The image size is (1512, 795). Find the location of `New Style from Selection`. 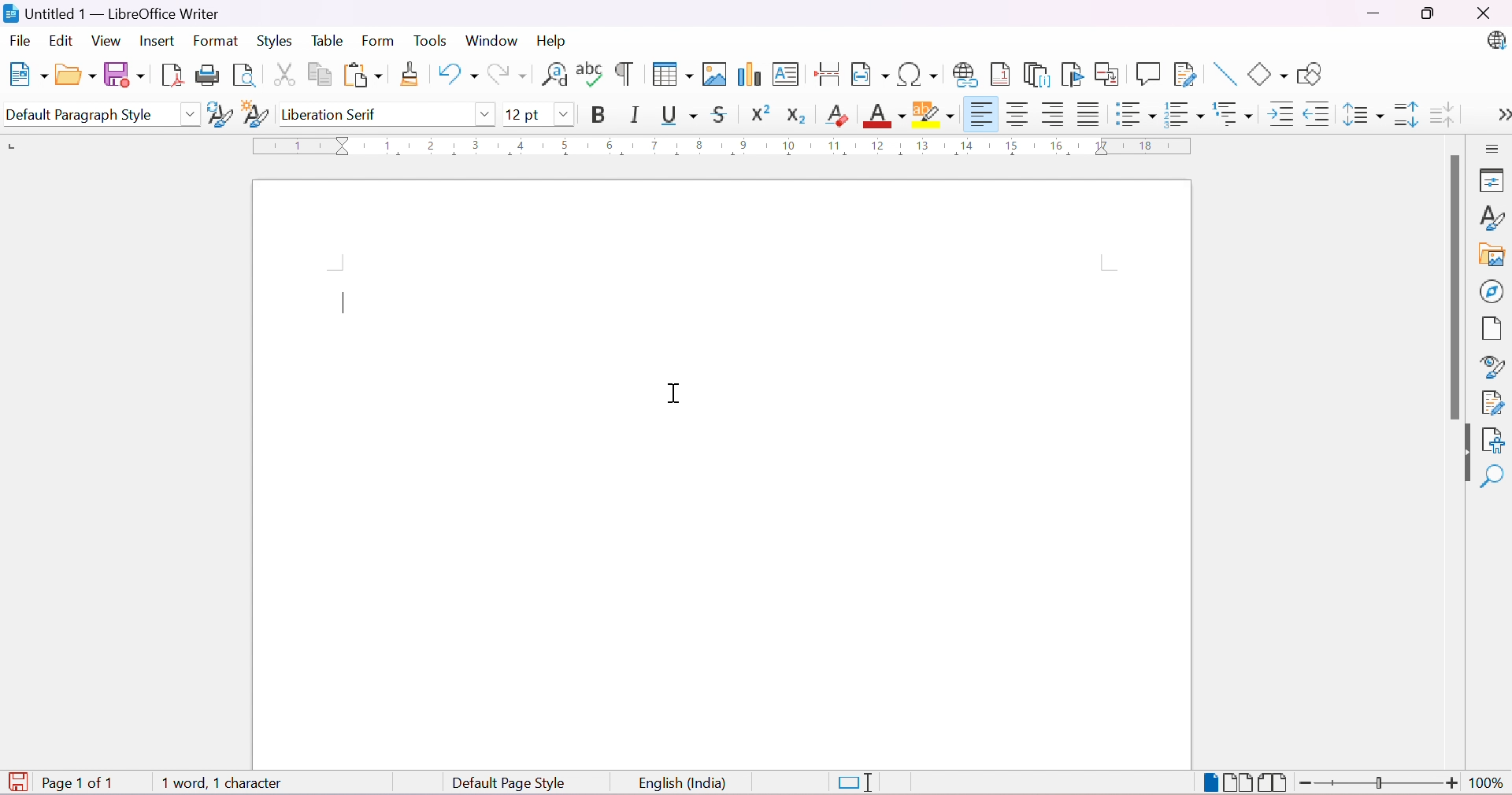

New Style from Selection is located at coordinates (254, 113).